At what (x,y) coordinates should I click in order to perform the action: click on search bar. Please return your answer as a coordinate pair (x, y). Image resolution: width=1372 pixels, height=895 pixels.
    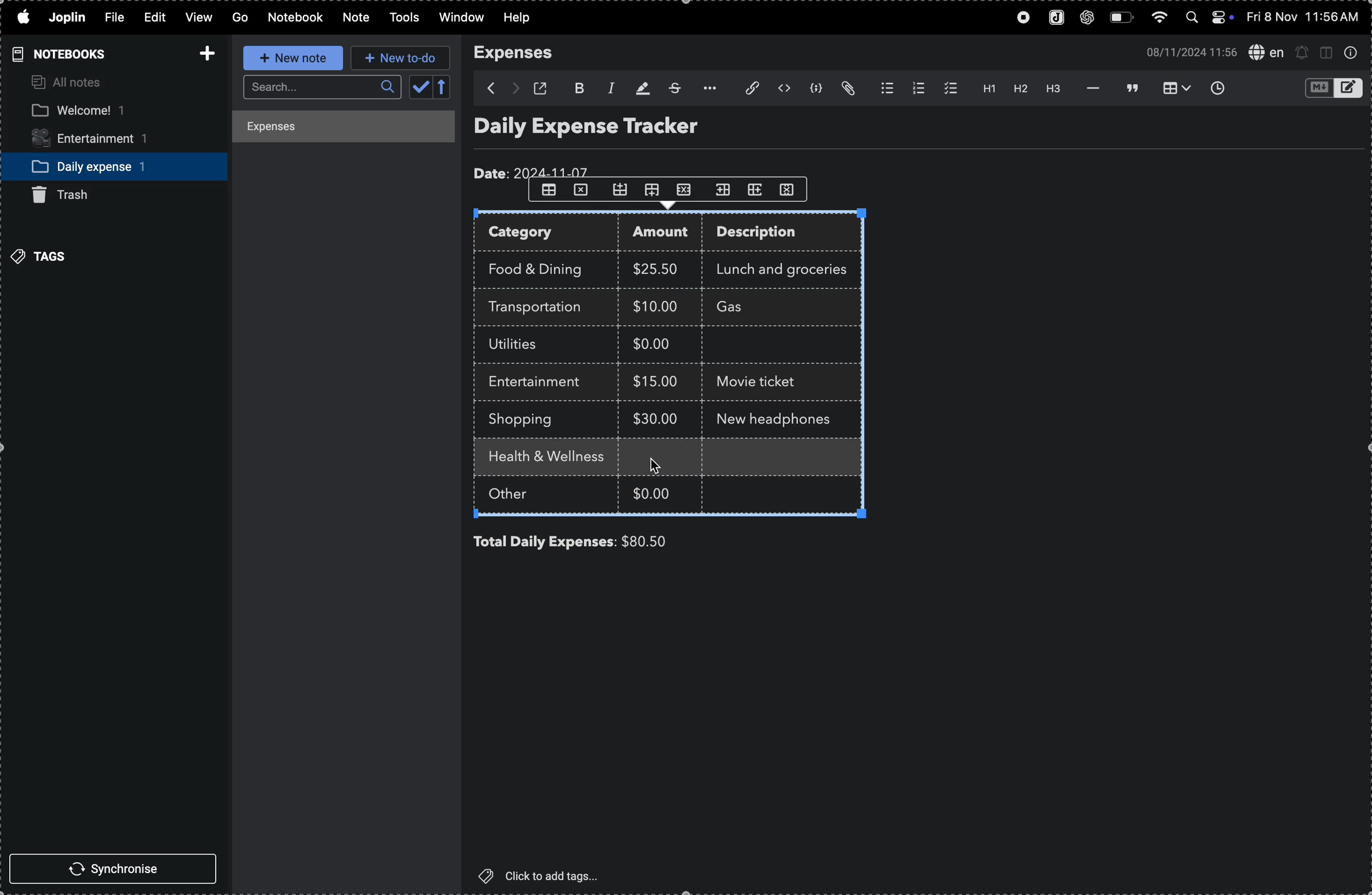
    Looking at the image, I should click on (319, 88).